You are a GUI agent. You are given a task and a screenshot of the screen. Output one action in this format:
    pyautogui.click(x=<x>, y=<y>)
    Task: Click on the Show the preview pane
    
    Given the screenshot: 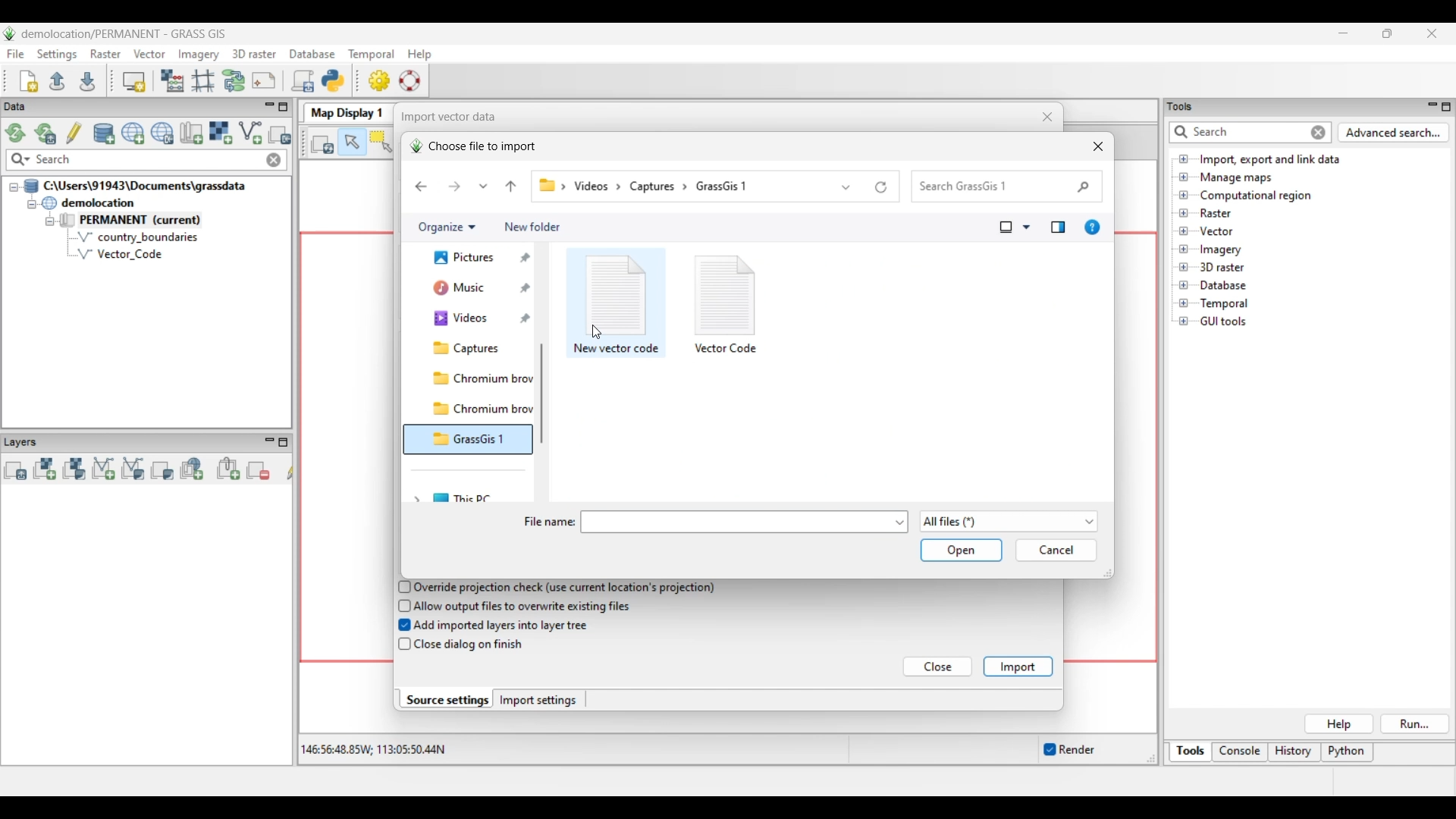 What is the action you would take?
    pyautogui.click(x=1058, y=227)
    